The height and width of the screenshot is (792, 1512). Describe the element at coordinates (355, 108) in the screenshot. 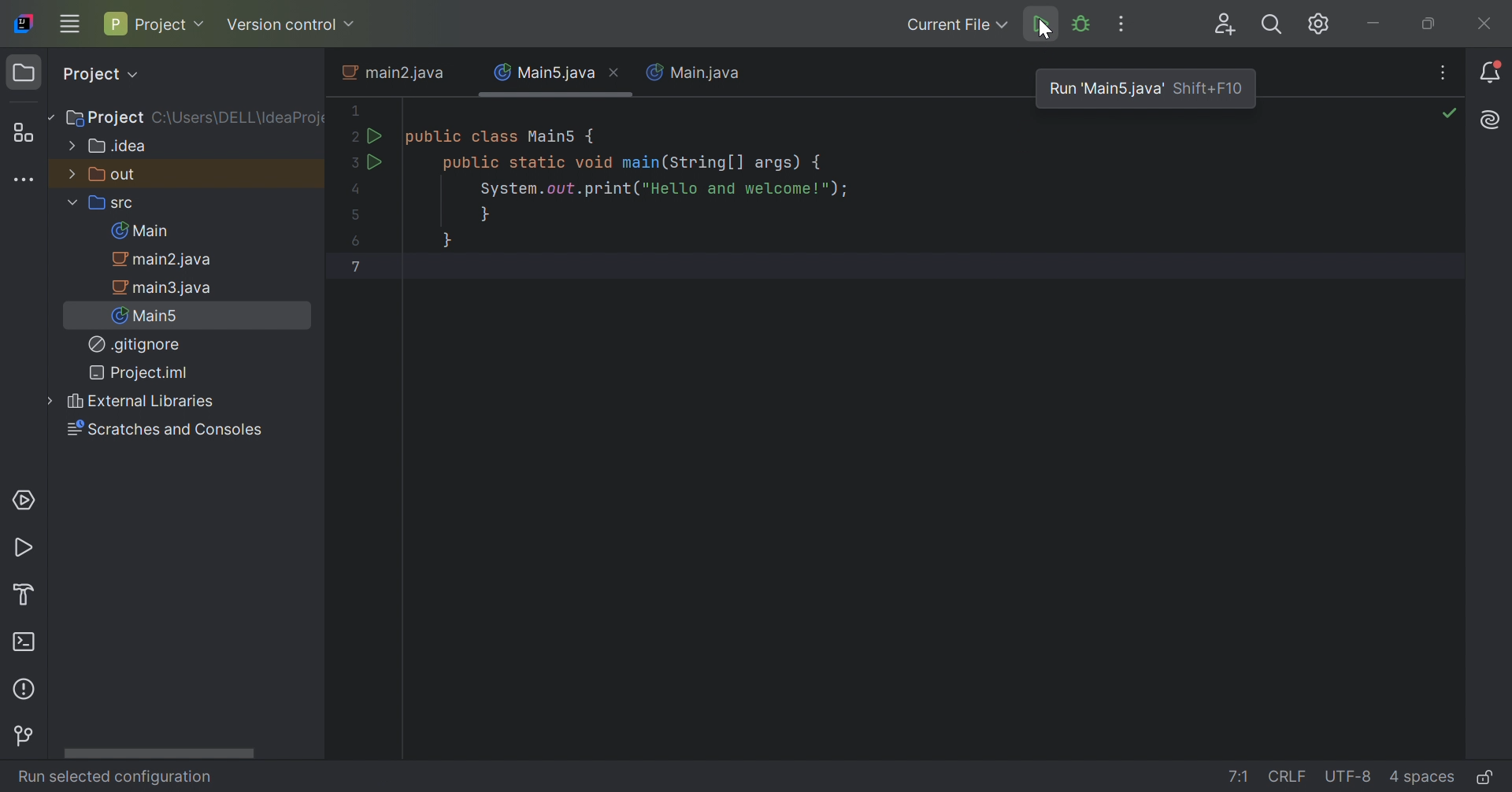

I see `1` at that location.